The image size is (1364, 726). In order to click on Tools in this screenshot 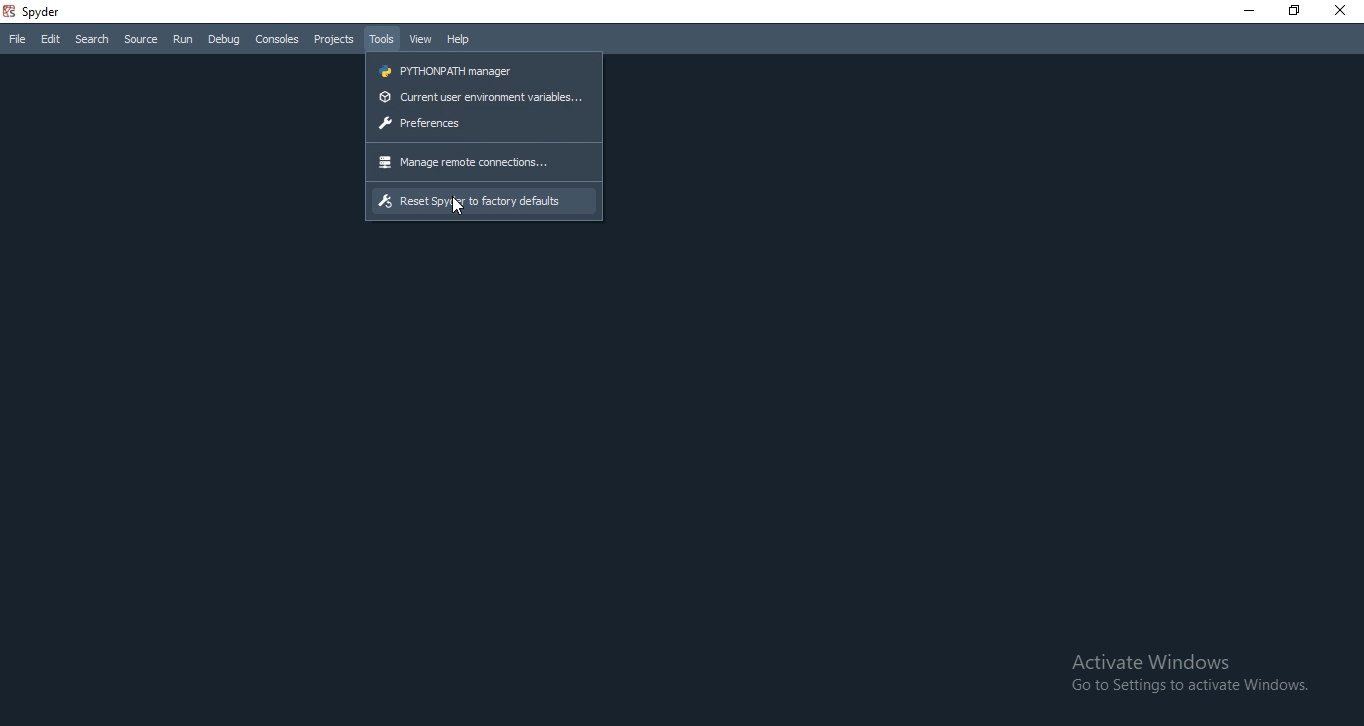, I will do `click(379, 40)`.